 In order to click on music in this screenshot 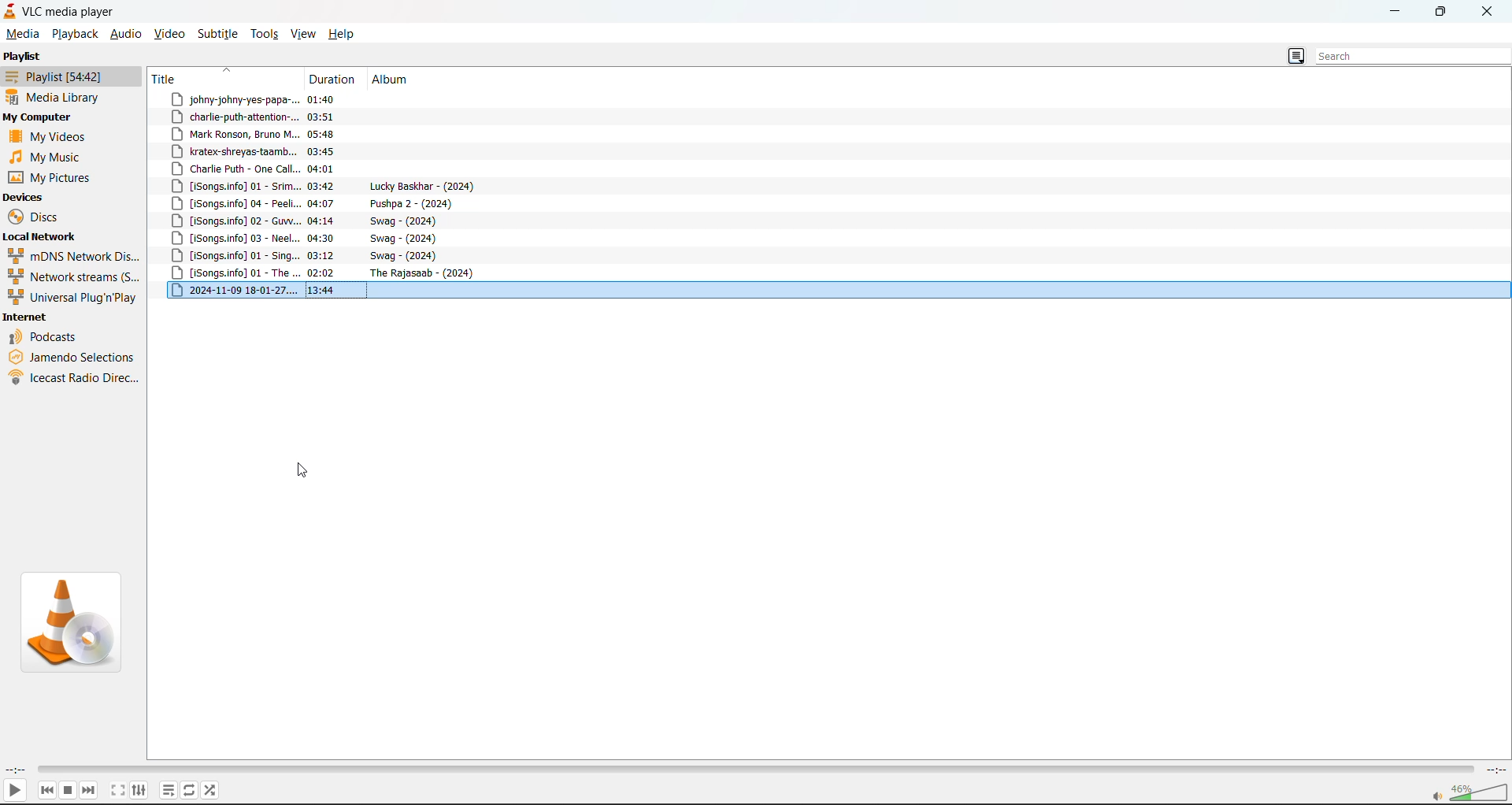, I will do `click(43, 156)`.